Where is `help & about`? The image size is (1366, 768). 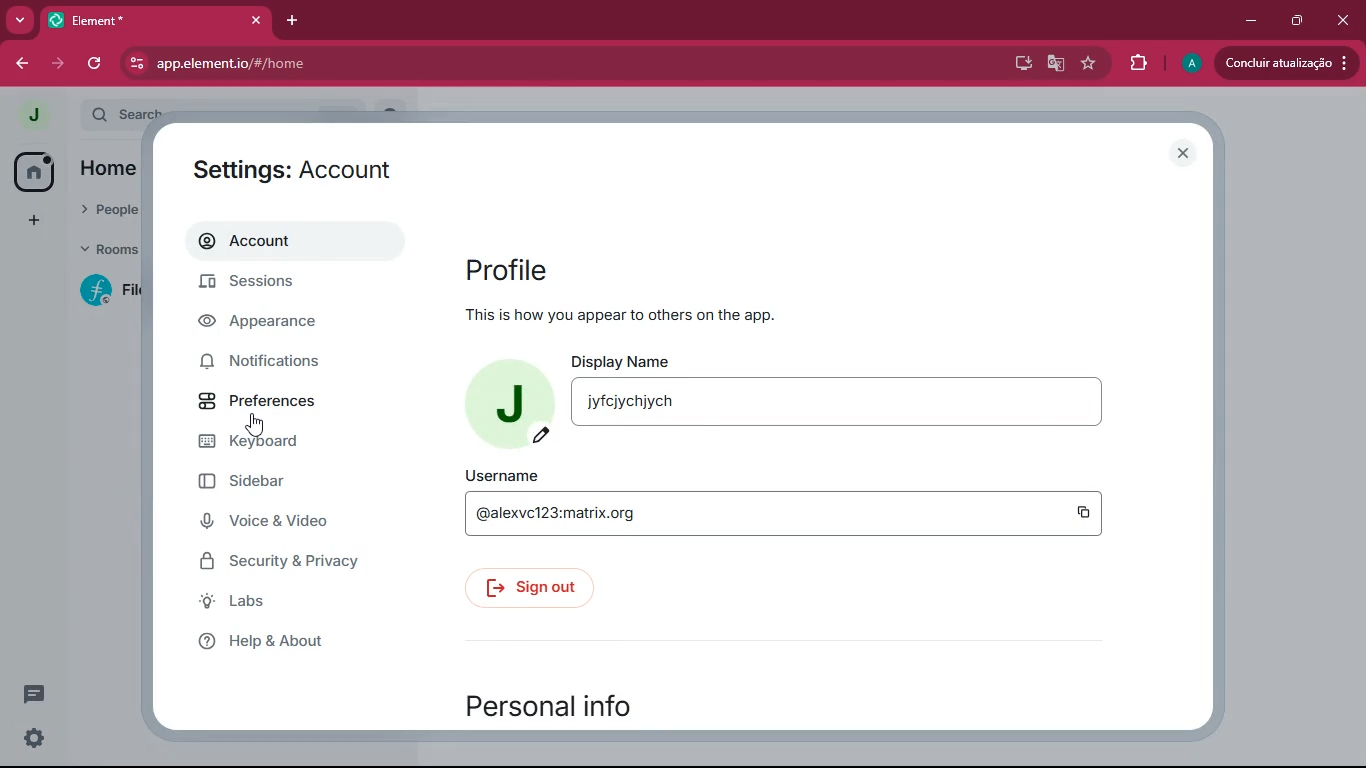 help & about is located at coordinates (298, 641).